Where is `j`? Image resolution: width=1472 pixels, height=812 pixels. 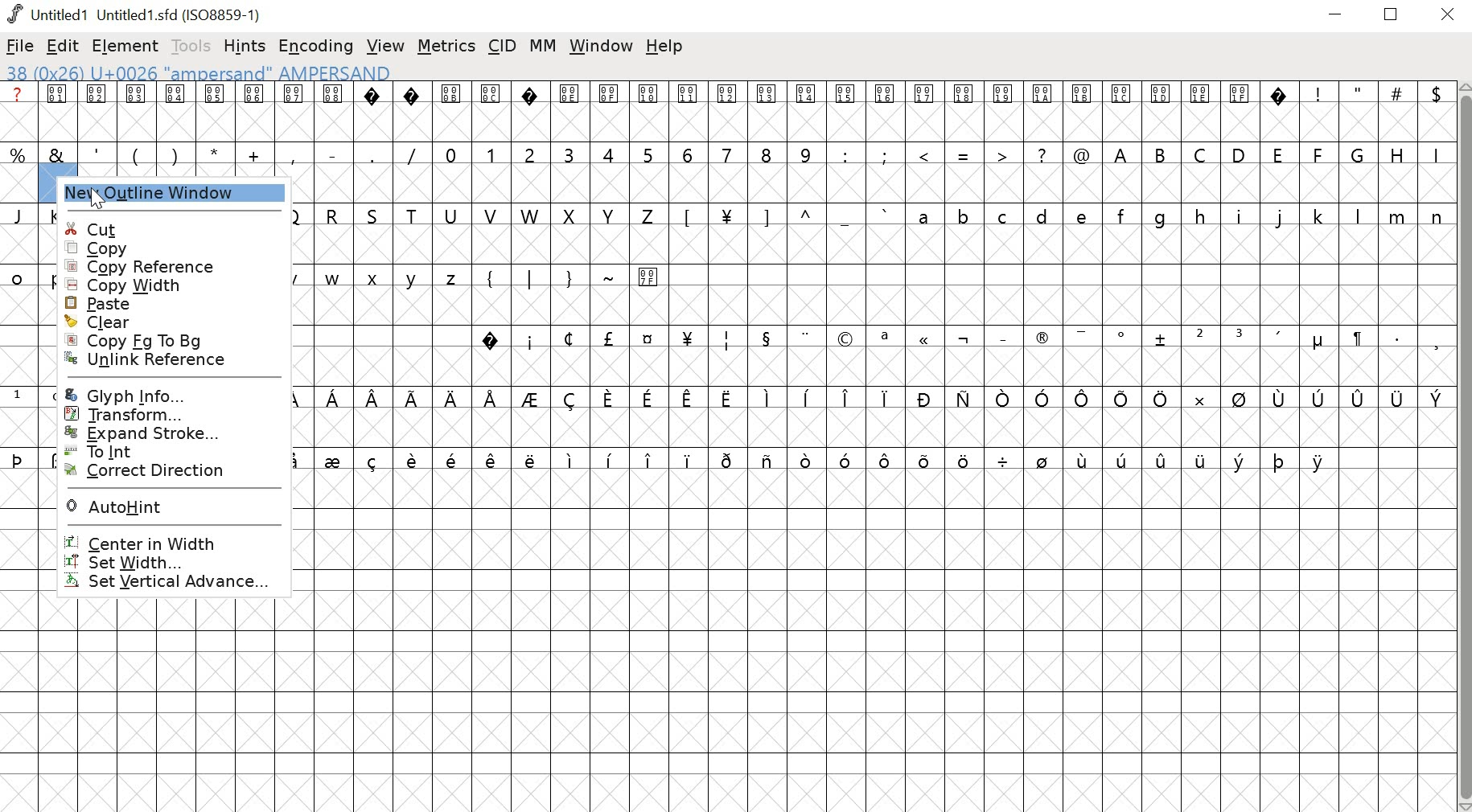
j is located at coordinates (1281, 218).